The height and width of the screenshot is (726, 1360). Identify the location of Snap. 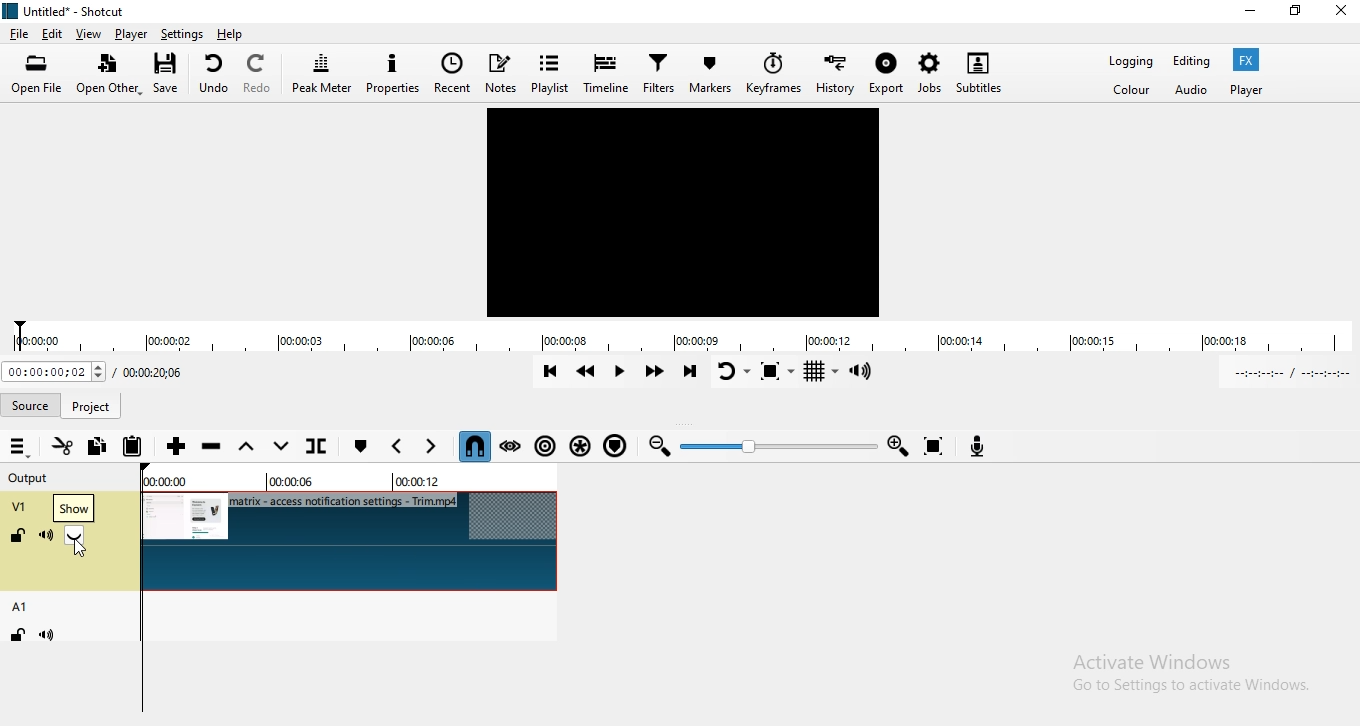
(473, 445).